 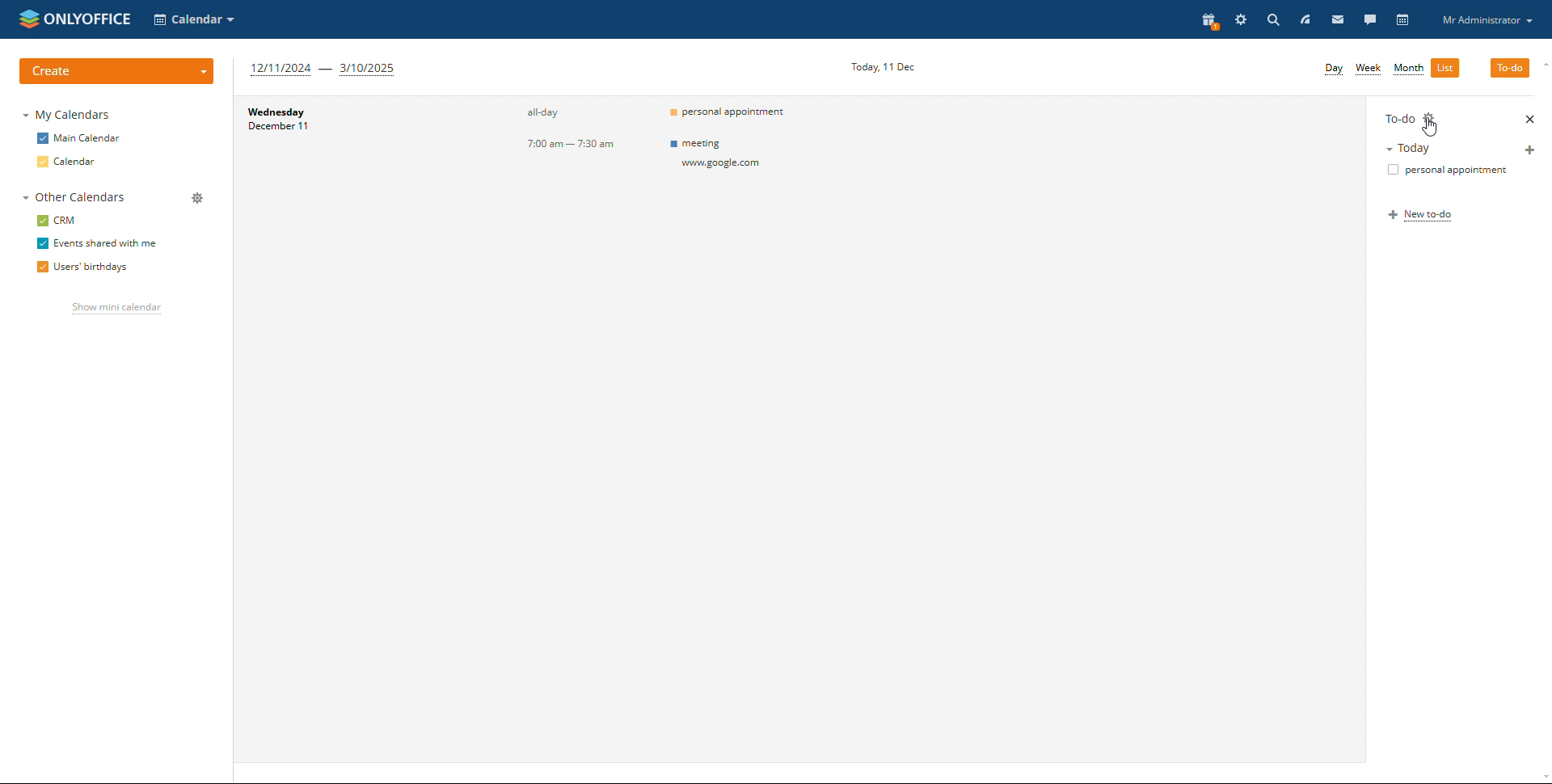 I want to click on events shared with me, so click(x=96, y=242).